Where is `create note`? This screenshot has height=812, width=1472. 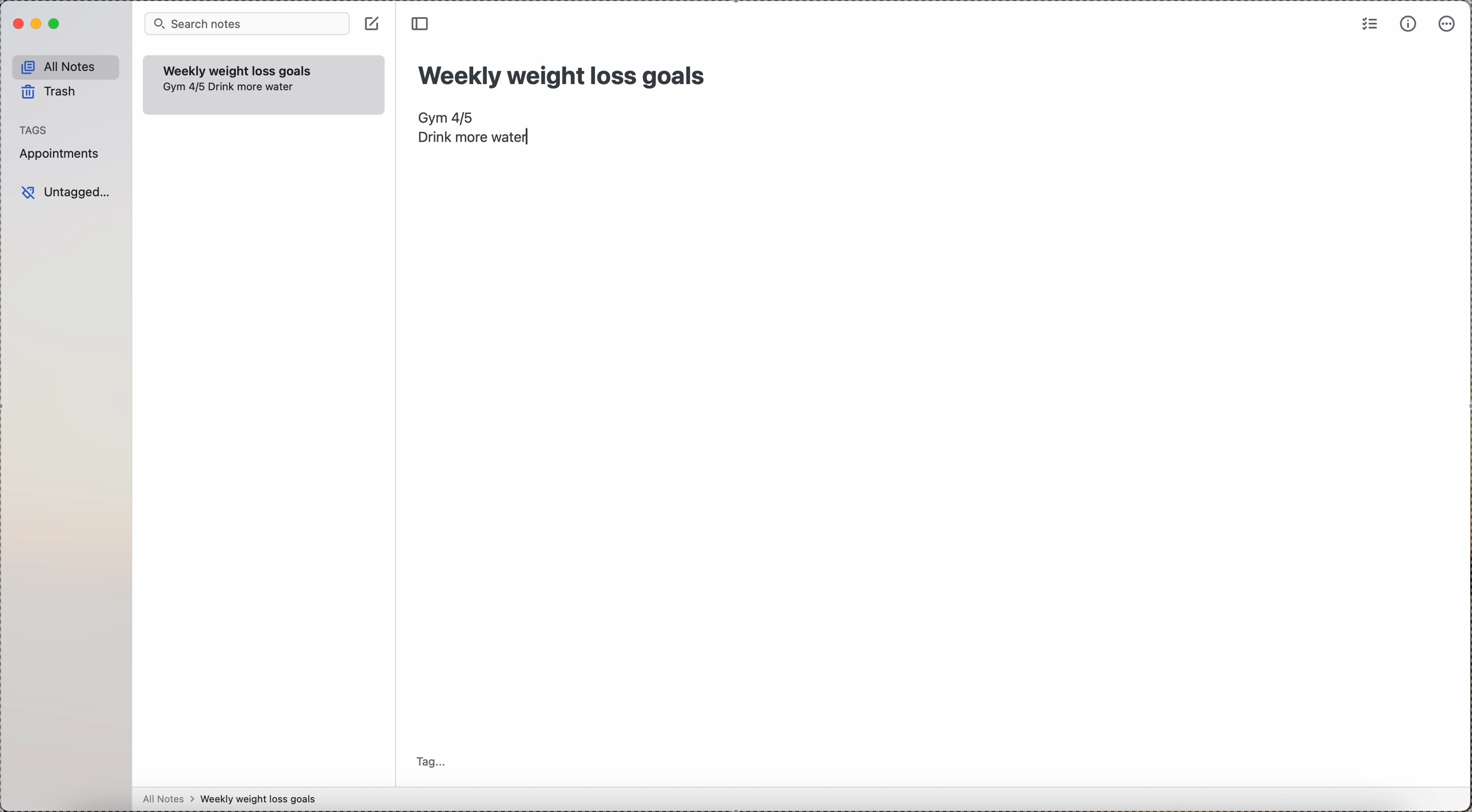
create note is located at coordinates (373, 23).